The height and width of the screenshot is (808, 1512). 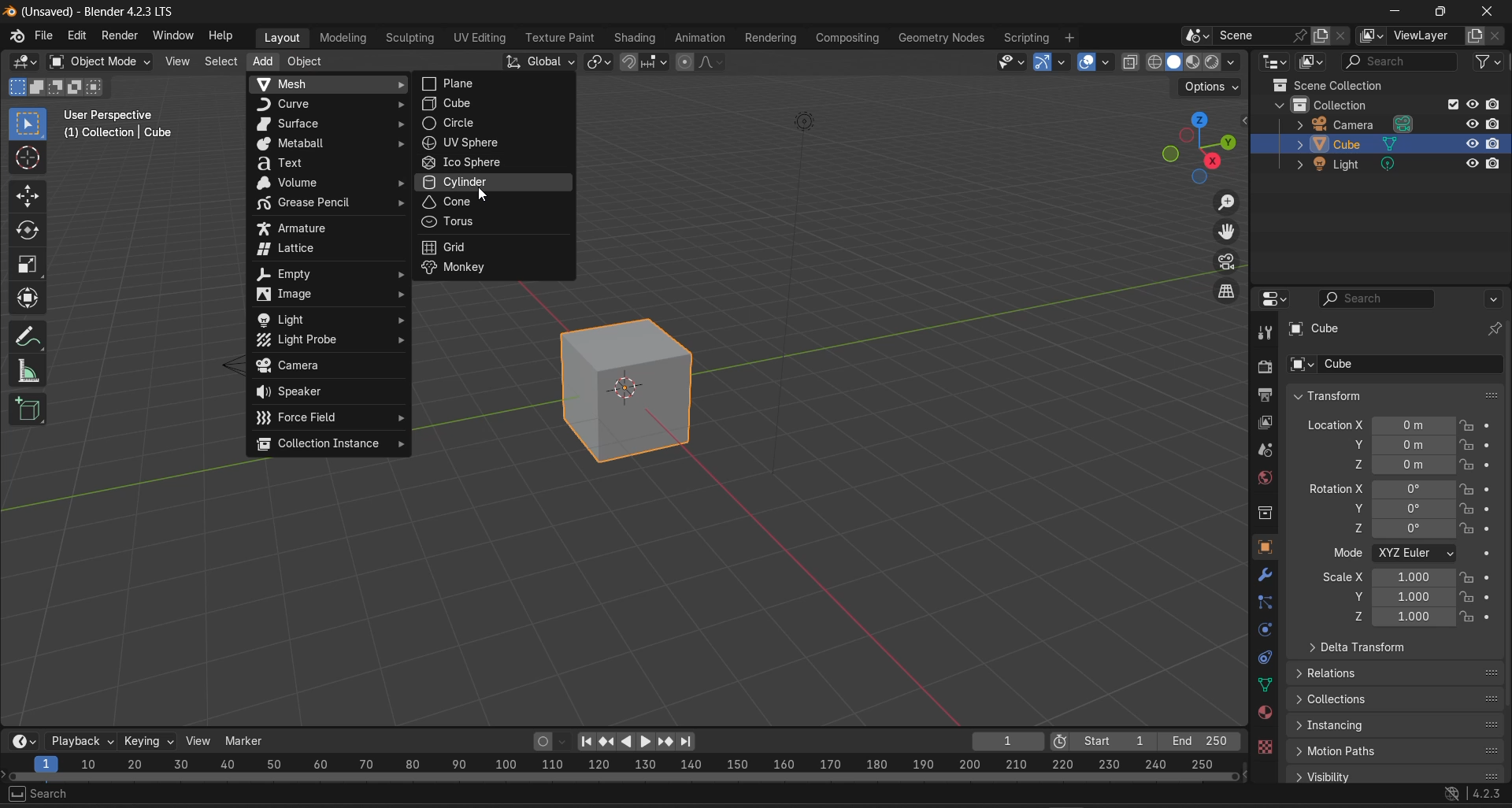 What do you see at coordinates (543, 742) in the screenshot?
I see `autokeying` at bounding box center [543, 742].